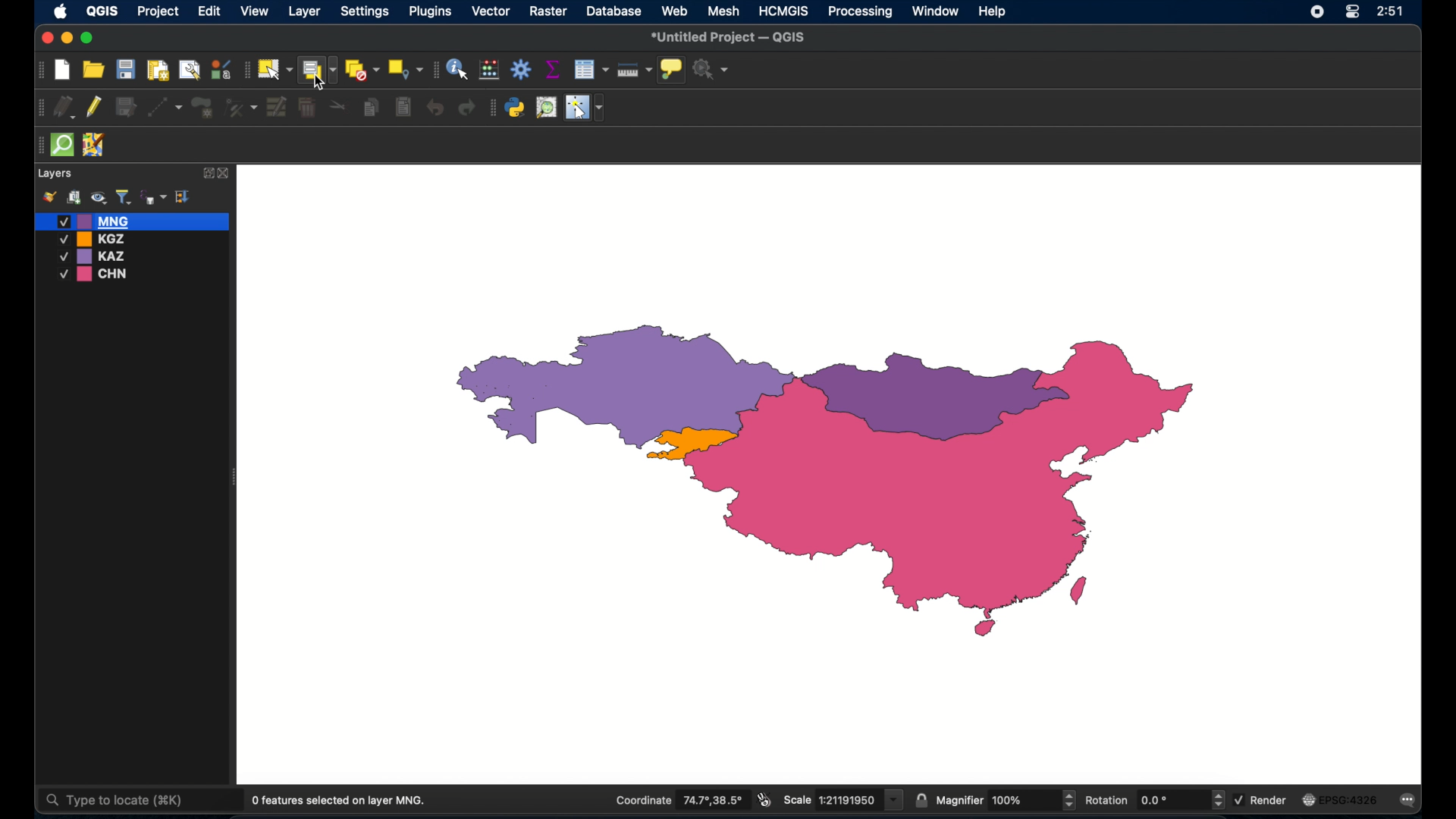 This screenshot has width=1456, height=819. Describe the element at coordinates (154, 196) in the screenshot. I see `filter legend by expression` at that location.